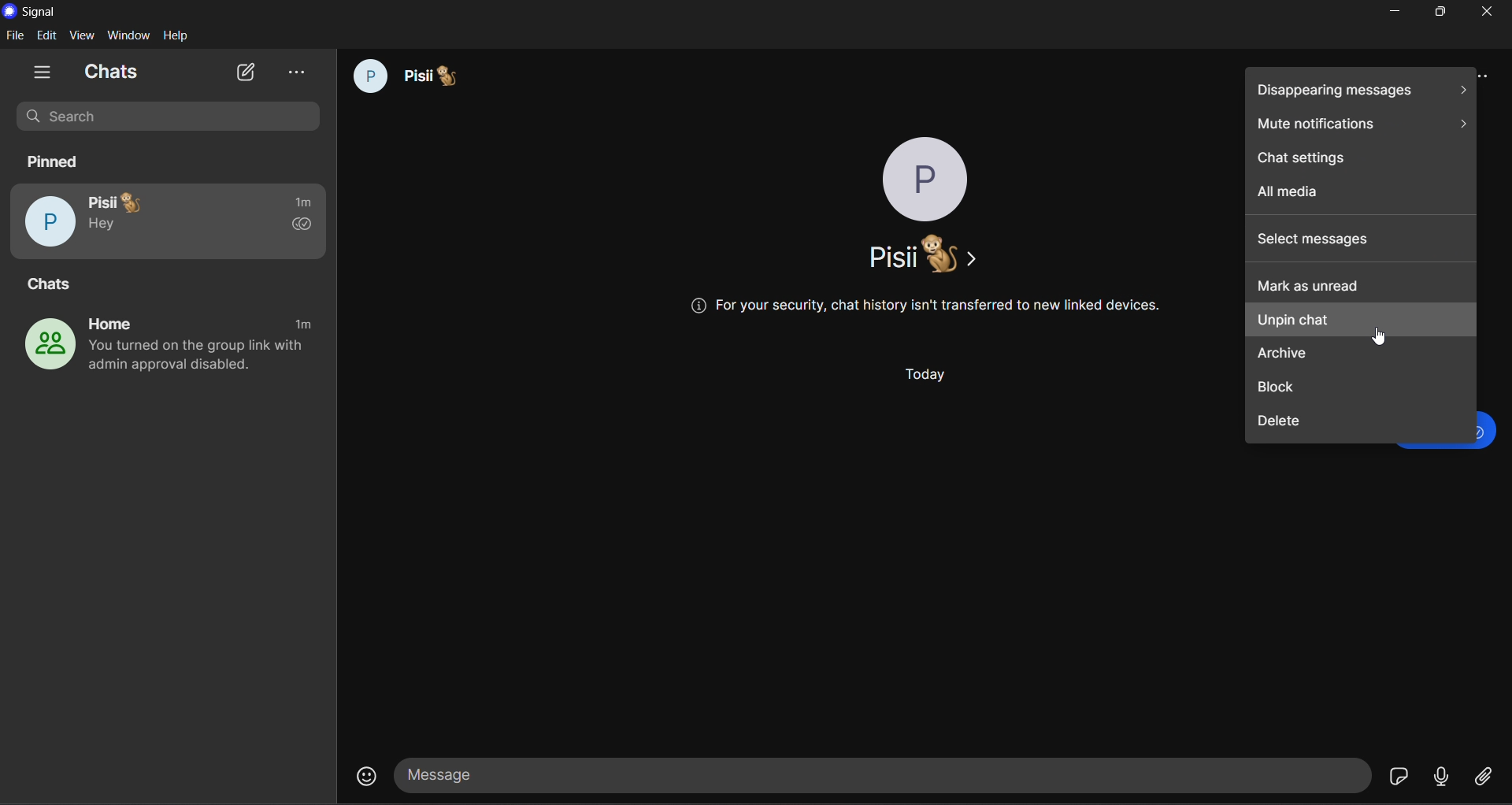  Describe the element at coordinates (10, 10) in the screenshot. I see `logo` at that location.